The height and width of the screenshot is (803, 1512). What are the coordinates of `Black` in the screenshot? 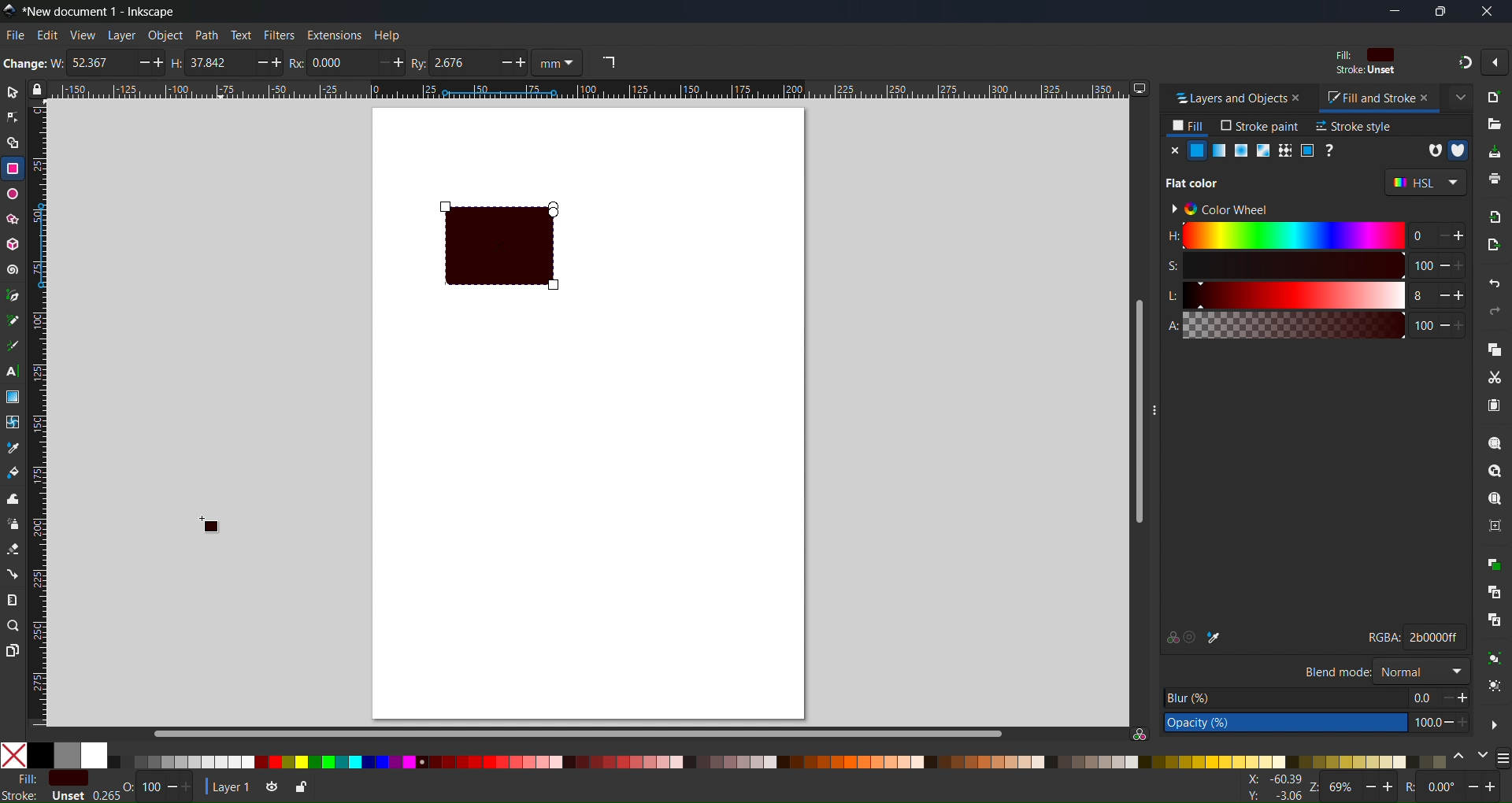 It's located at (40, 754).